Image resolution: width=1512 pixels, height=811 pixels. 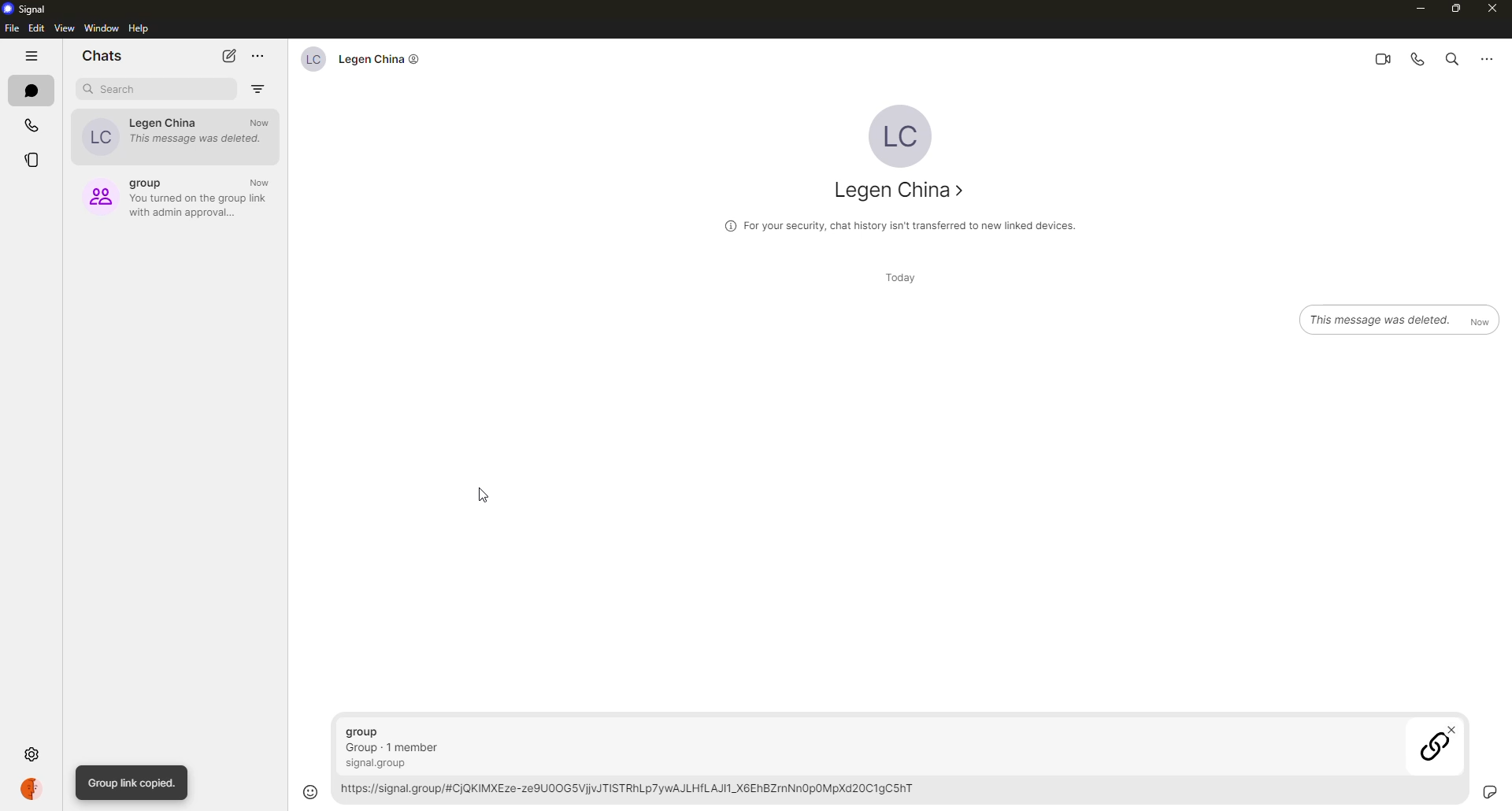 I want to click on view, so click(x=64, y=29).